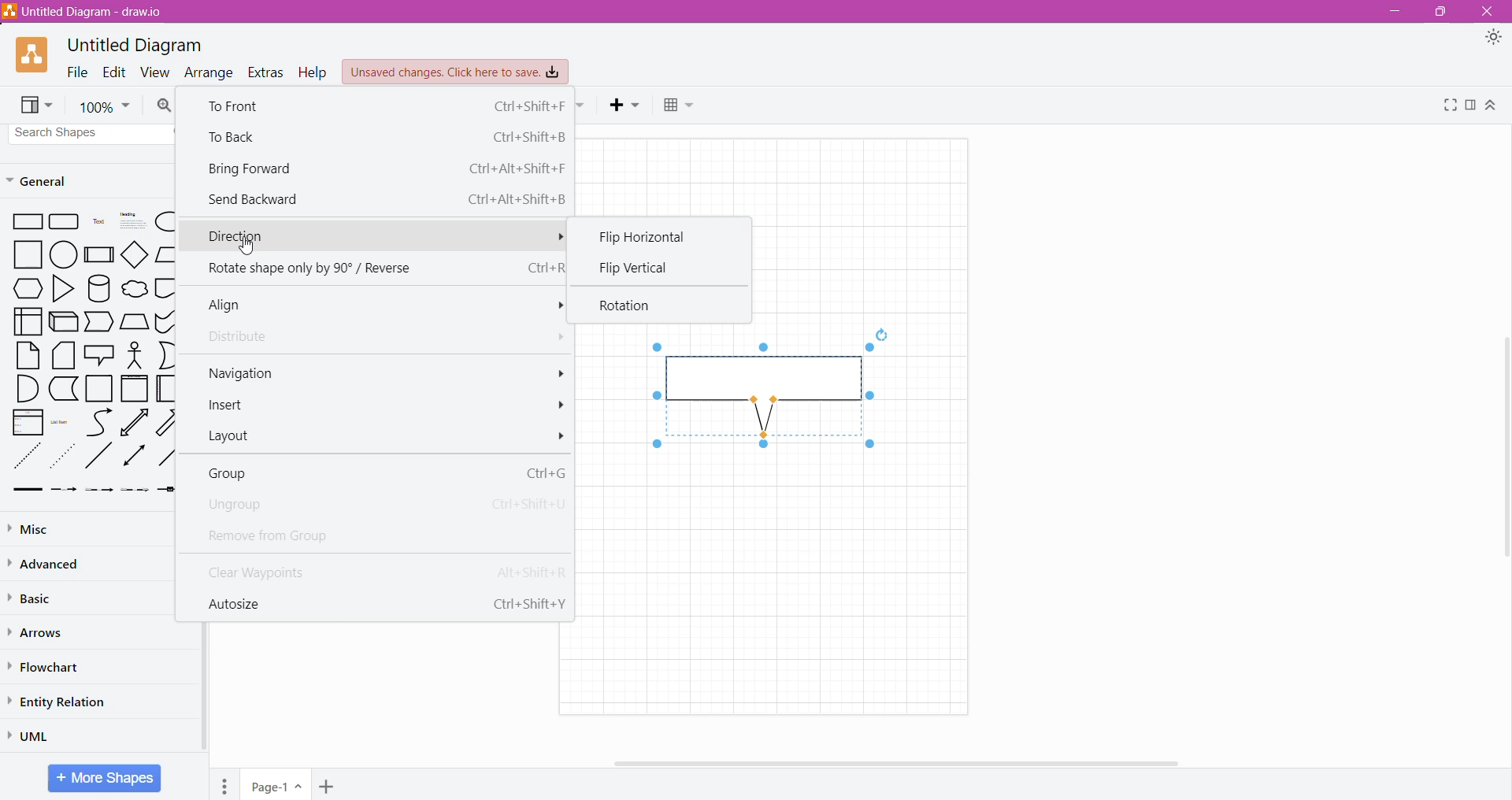 The image size is (1512, 800). Describe the element at coordinates (114, 72) in the screenshot. I see `Edit` at that location.